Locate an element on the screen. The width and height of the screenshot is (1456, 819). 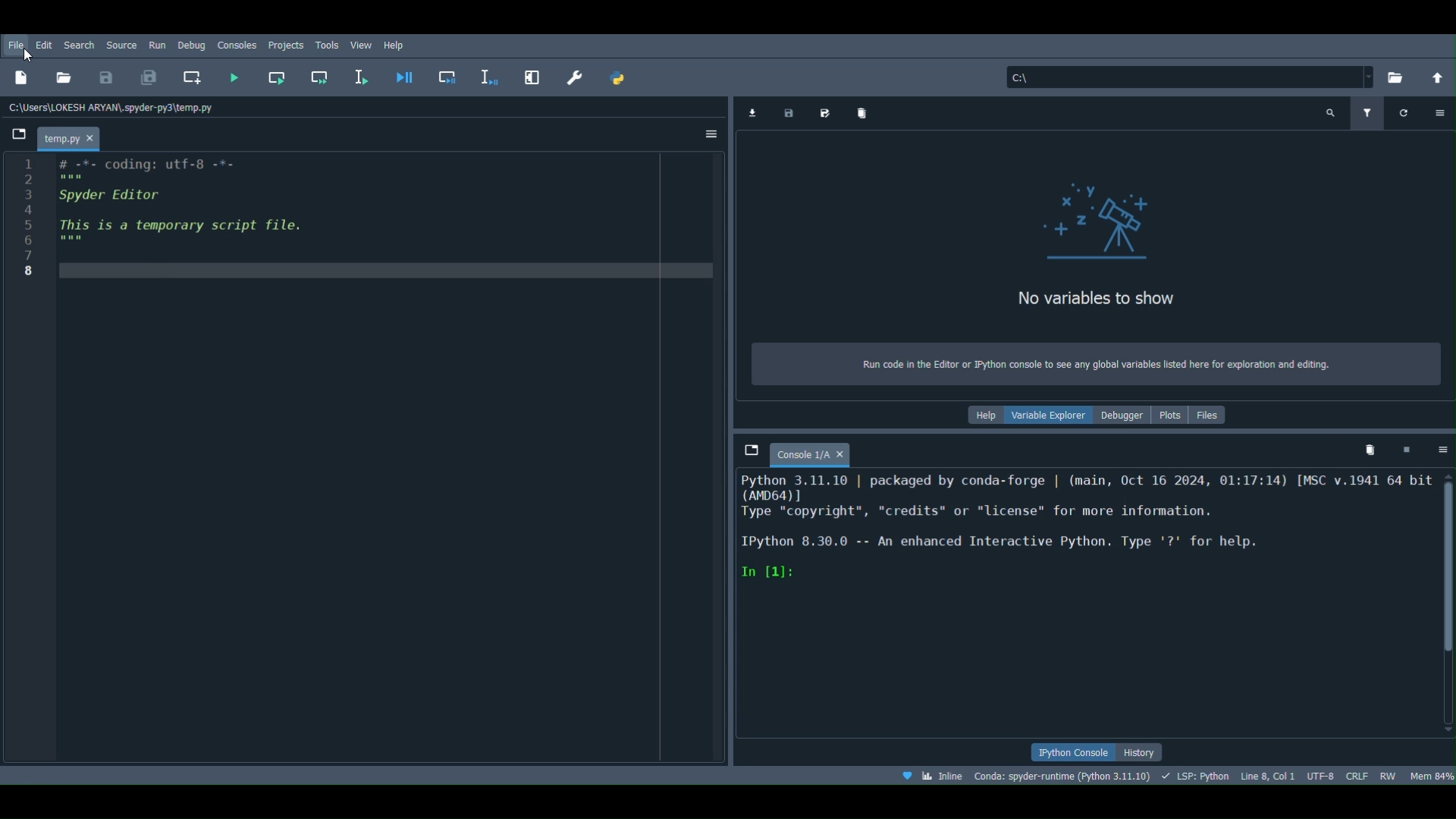
Filter variables is located at coordinates (1367, 111).